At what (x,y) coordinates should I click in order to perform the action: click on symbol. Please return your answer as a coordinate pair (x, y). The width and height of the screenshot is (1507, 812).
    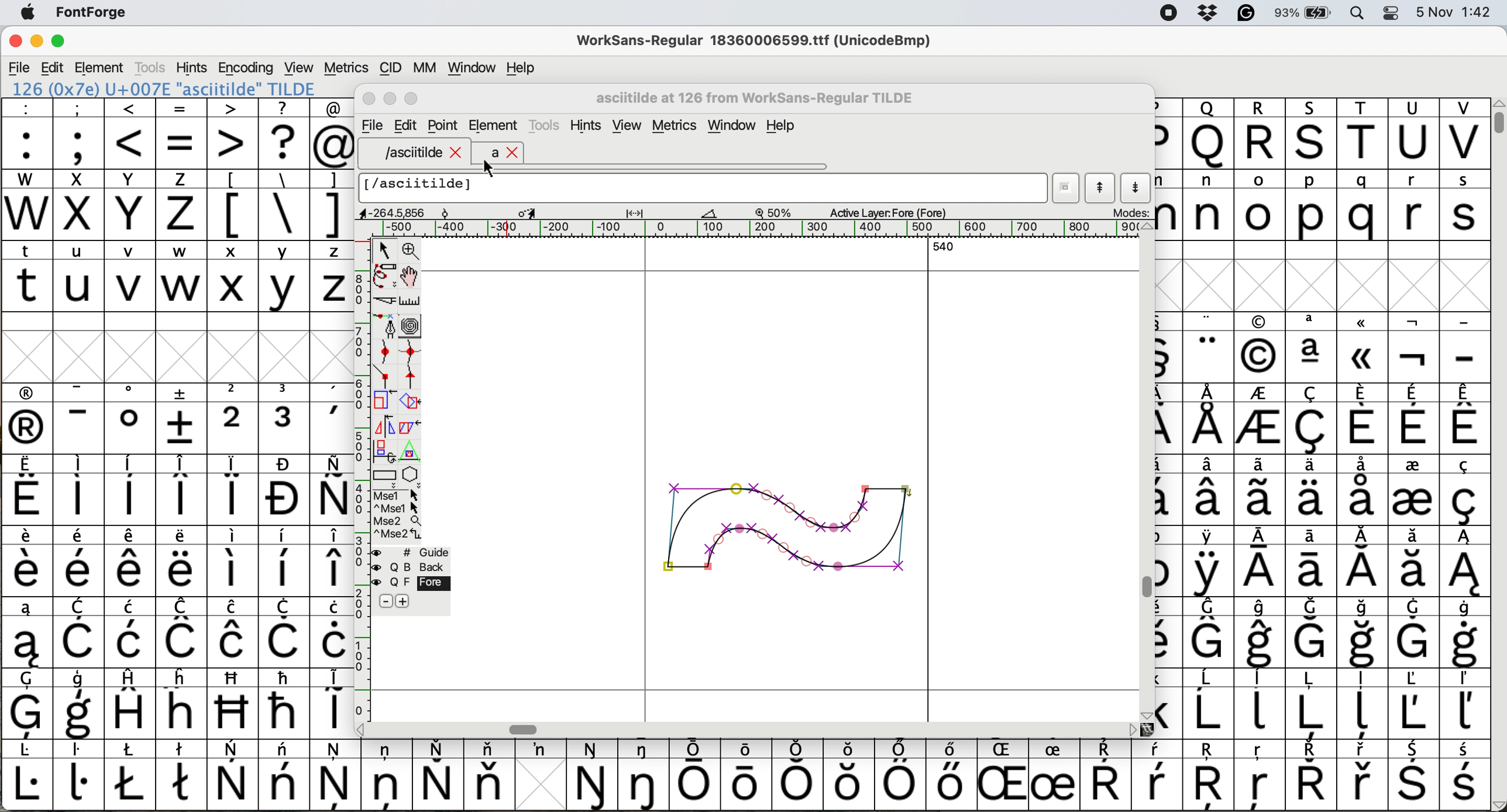
    Looking at the image, I should click on (1364, 776).